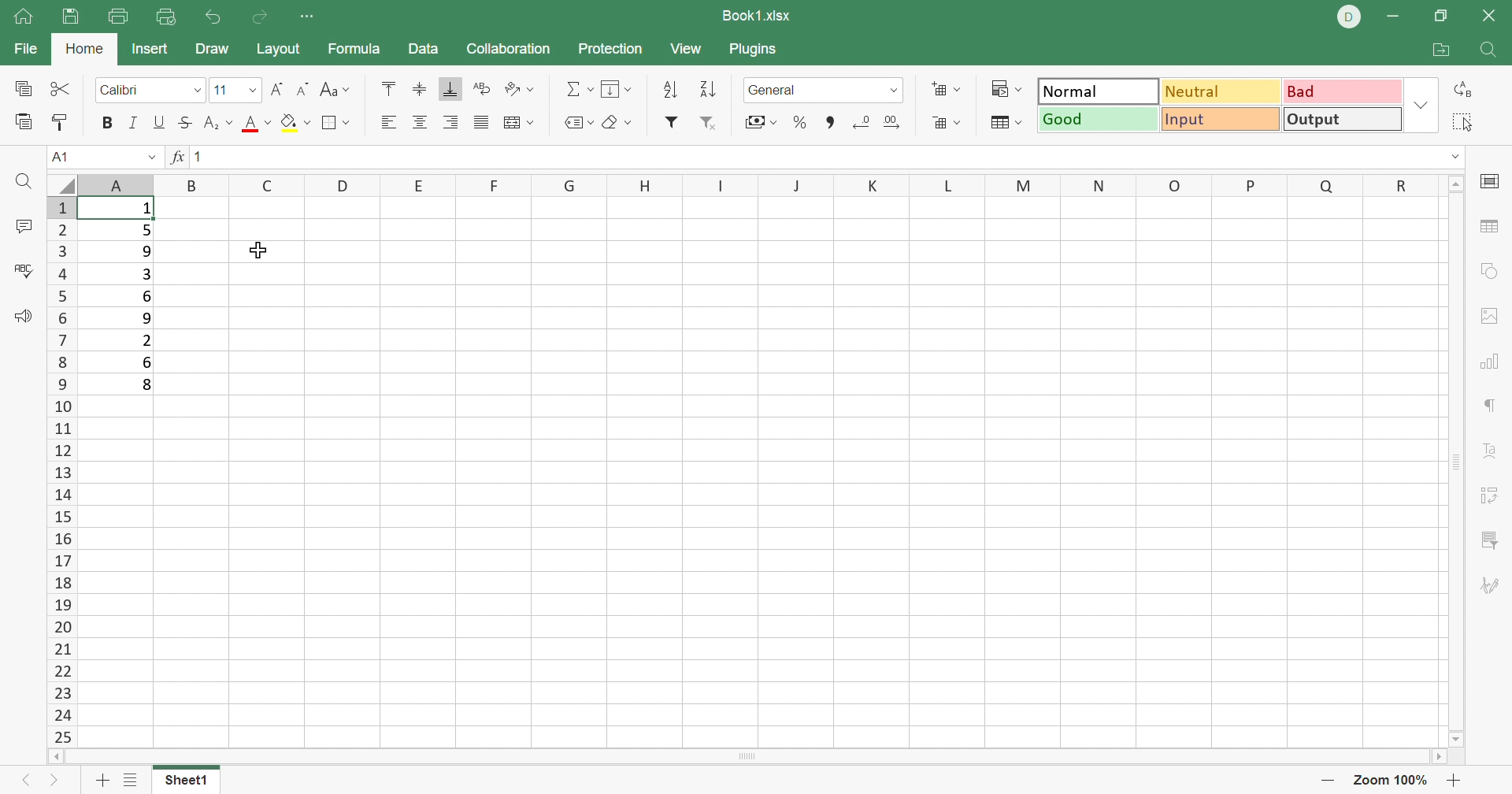  I want to click on 2, so click(147, 339).